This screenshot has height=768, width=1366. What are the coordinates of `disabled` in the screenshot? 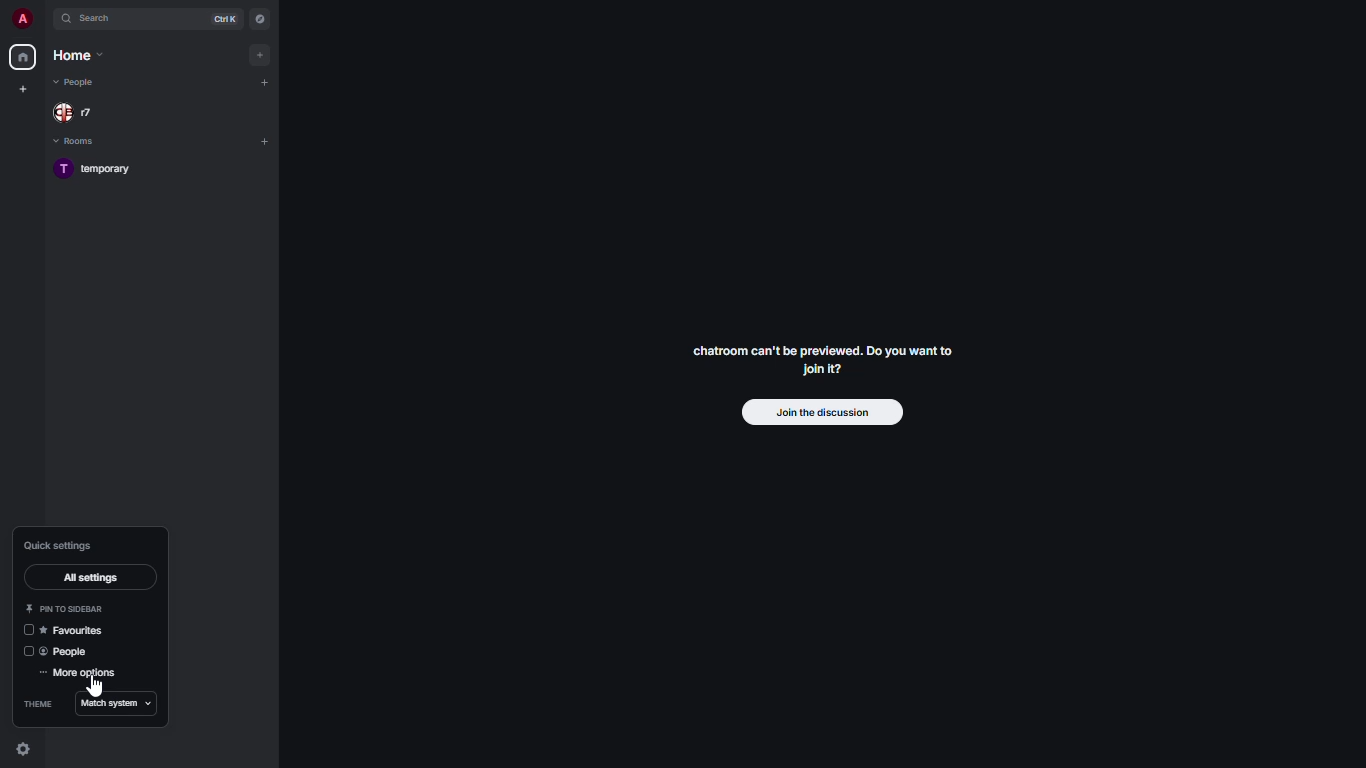 It's located at (27, 630).